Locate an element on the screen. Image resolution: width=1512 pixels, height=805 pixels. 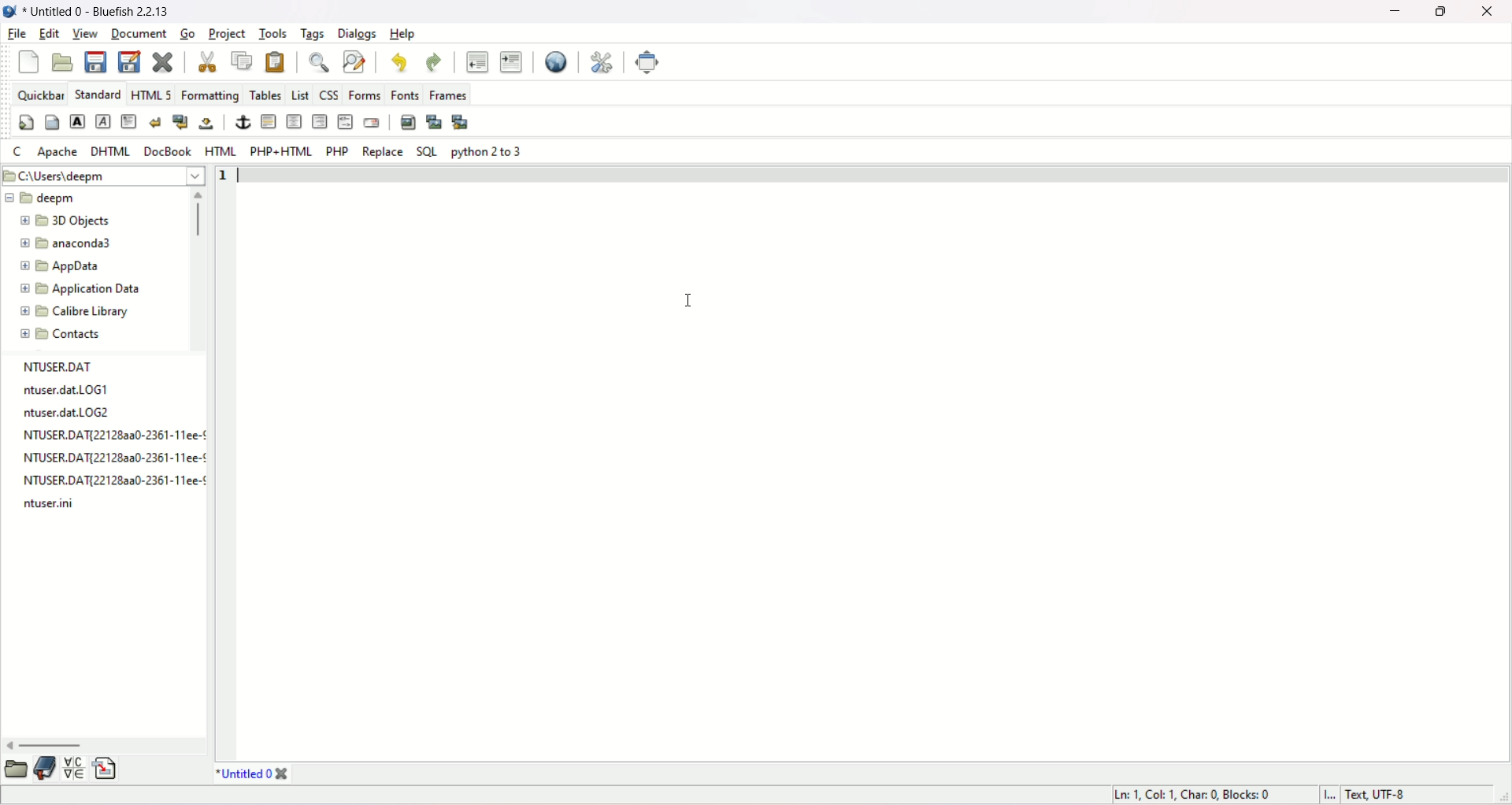
open file is located at coordinates (64, 62).